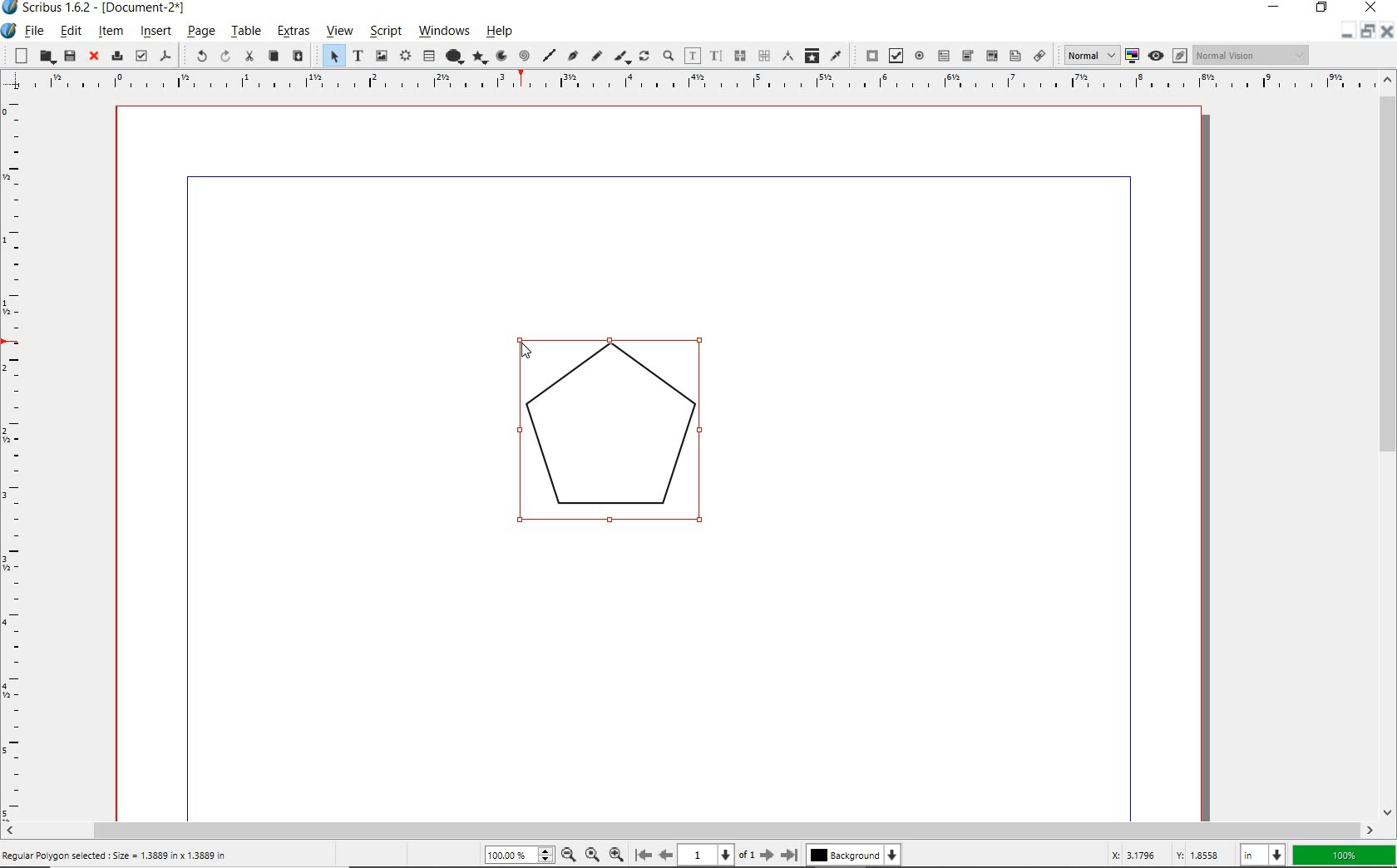  I want to click on Bezier curve, so click(570, 56).